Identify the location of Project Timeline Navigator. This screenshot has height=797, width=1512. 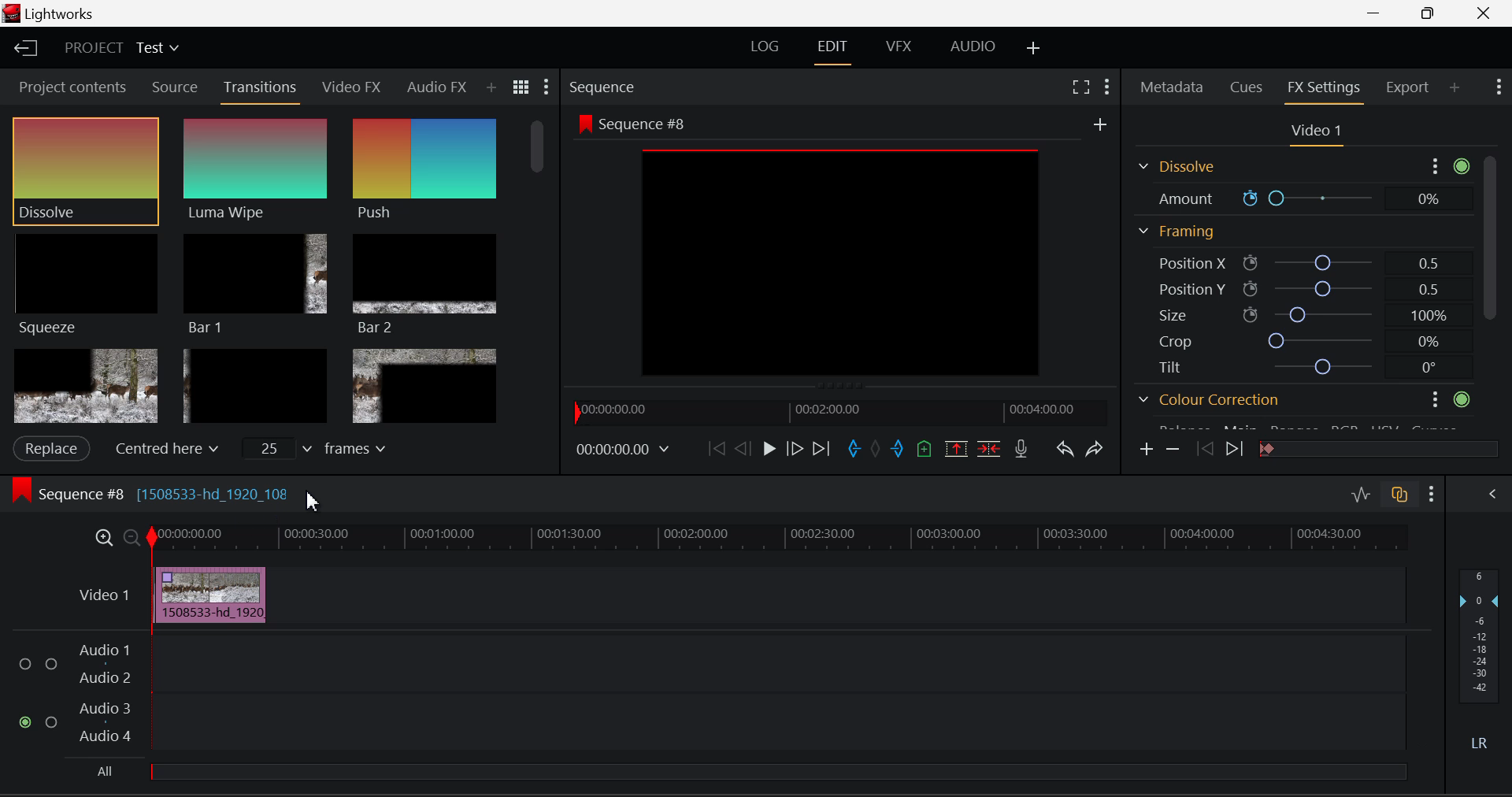
(841, 410).